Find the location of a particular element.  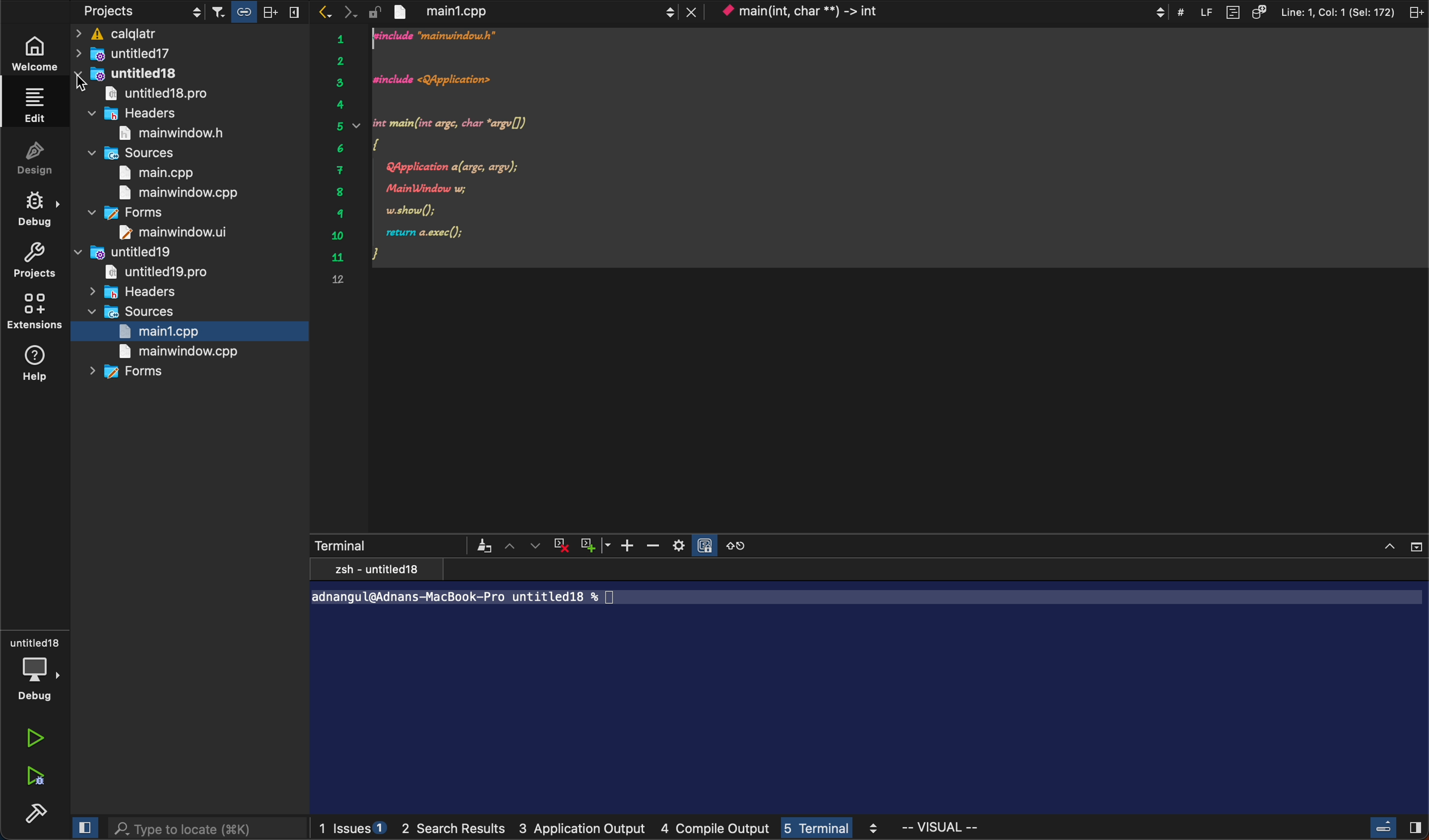

split is located at coordinates (1415, 12).